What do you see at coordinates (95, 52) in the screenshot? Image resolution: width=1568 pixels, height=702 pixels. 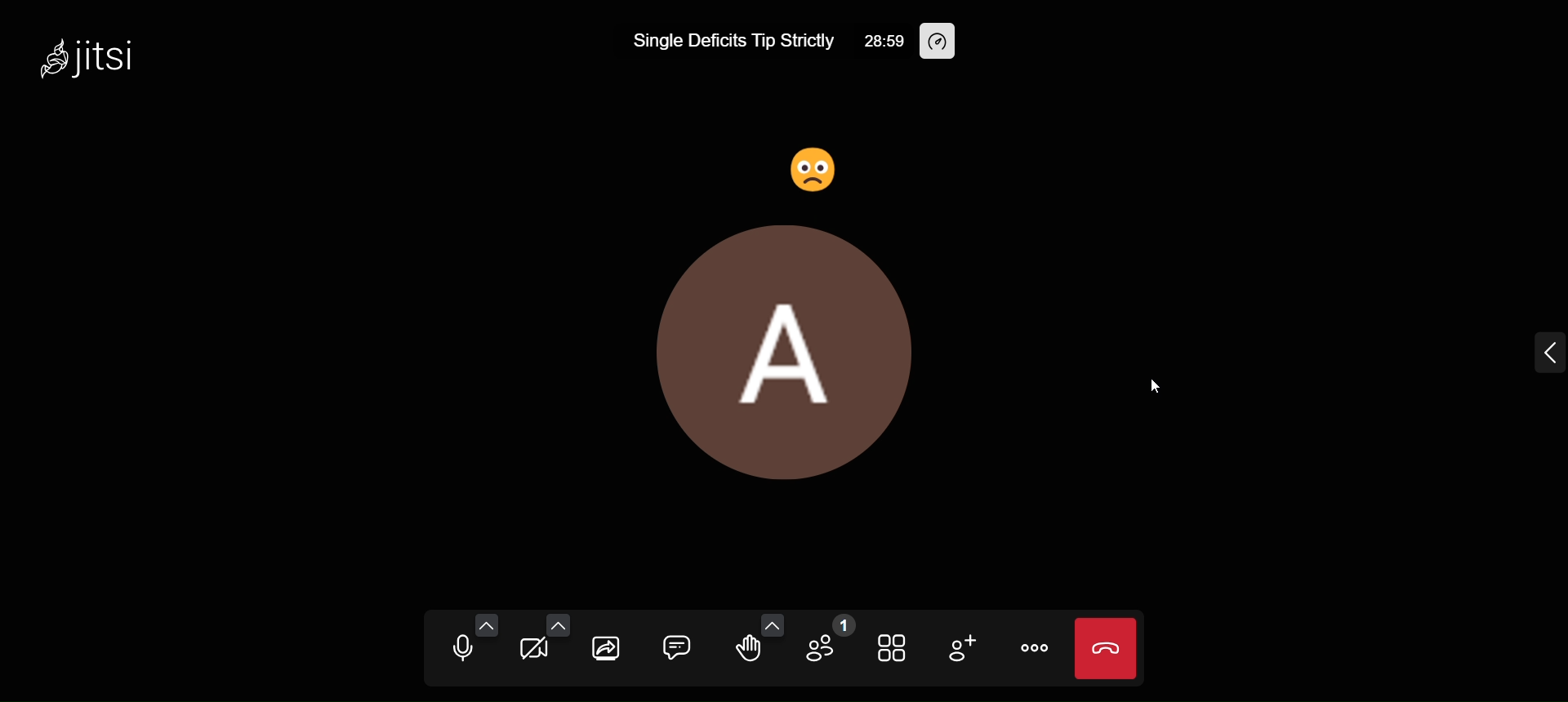 I see `jitsi` at bounding box center [95, 52].